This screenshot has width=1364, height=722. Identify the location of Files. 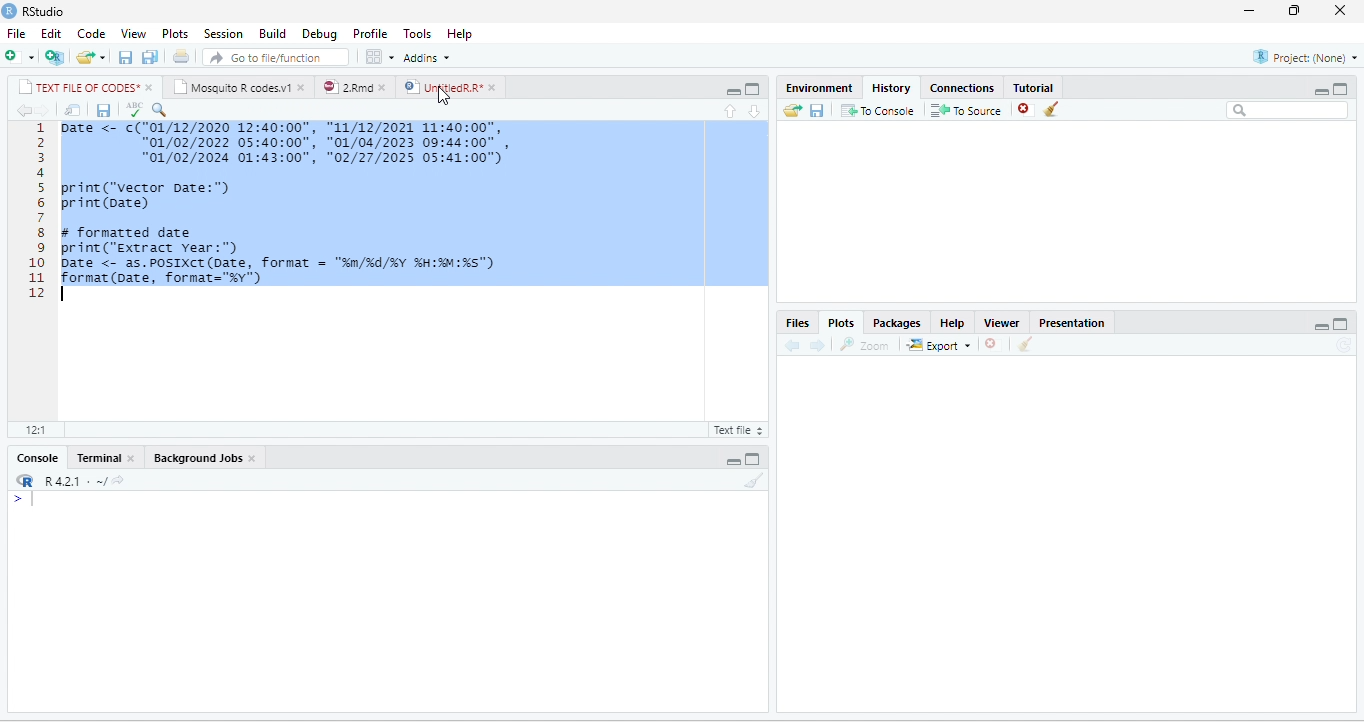
(799, 324).